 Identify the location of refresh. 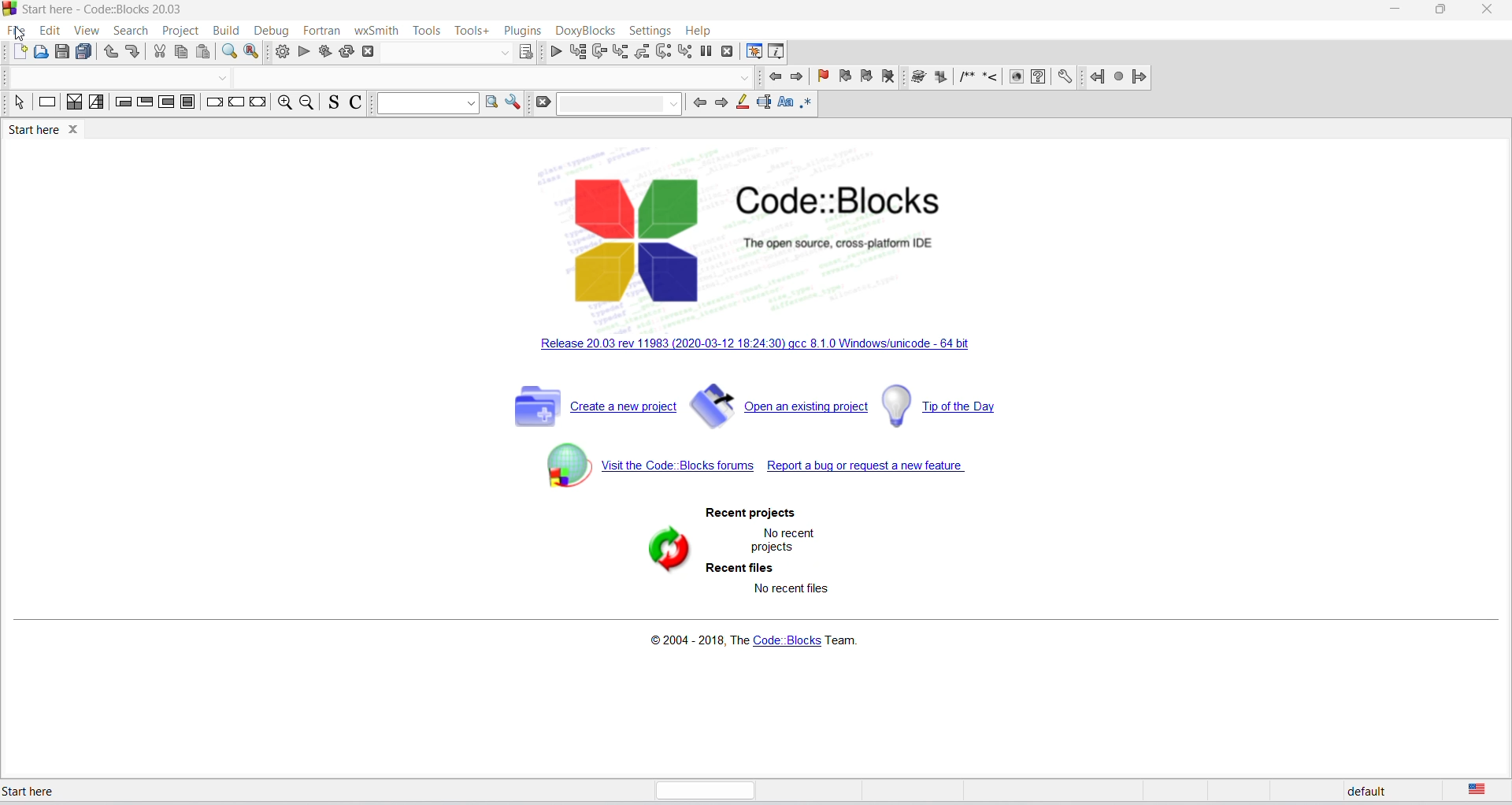
(660, 550).